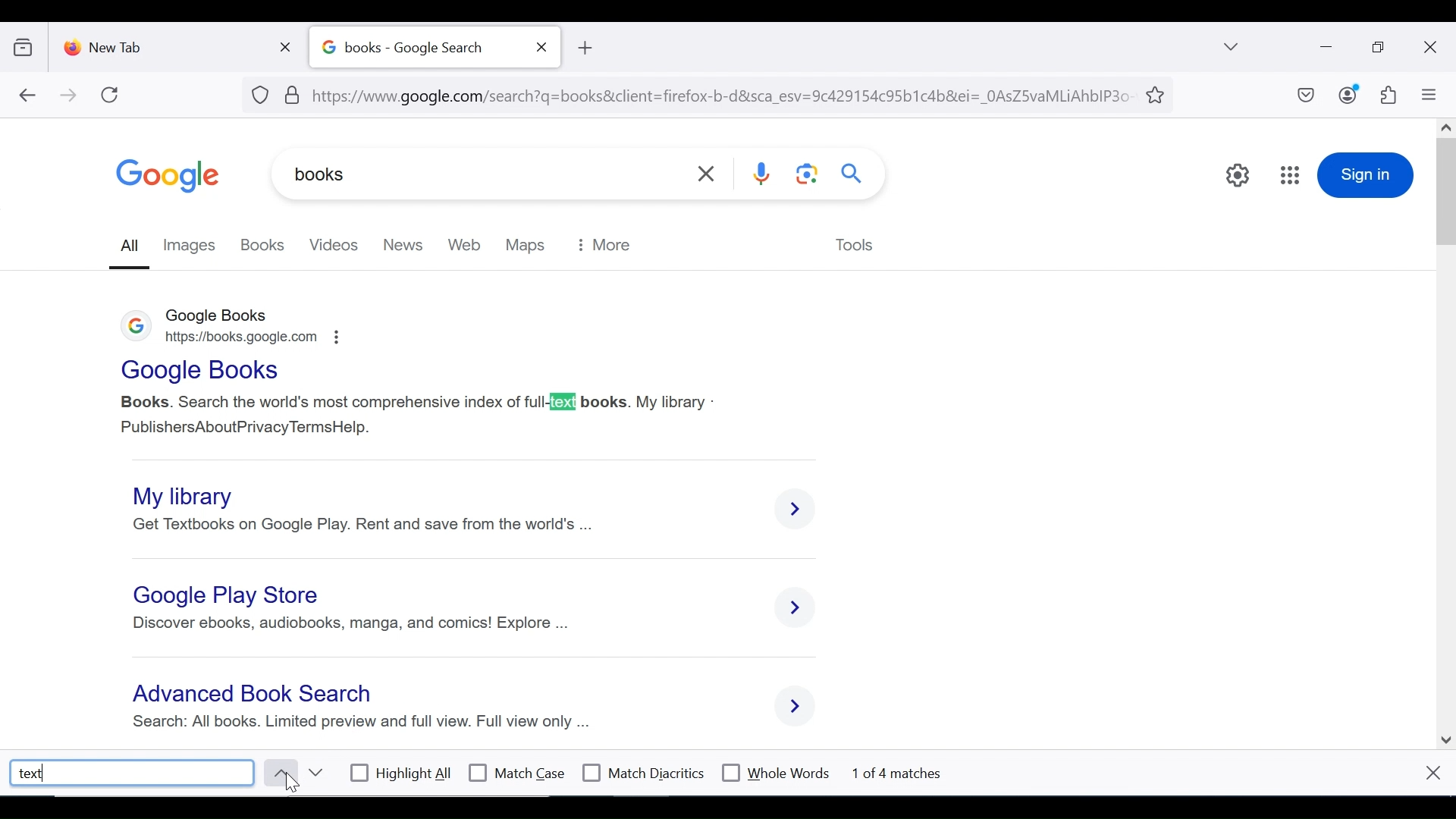 The width and height of the screenshot is (1456, 819). What do you see at coordinates (1428, 95) in the screenshot?
I see `open application menu` at bounding box center [1428, 95].